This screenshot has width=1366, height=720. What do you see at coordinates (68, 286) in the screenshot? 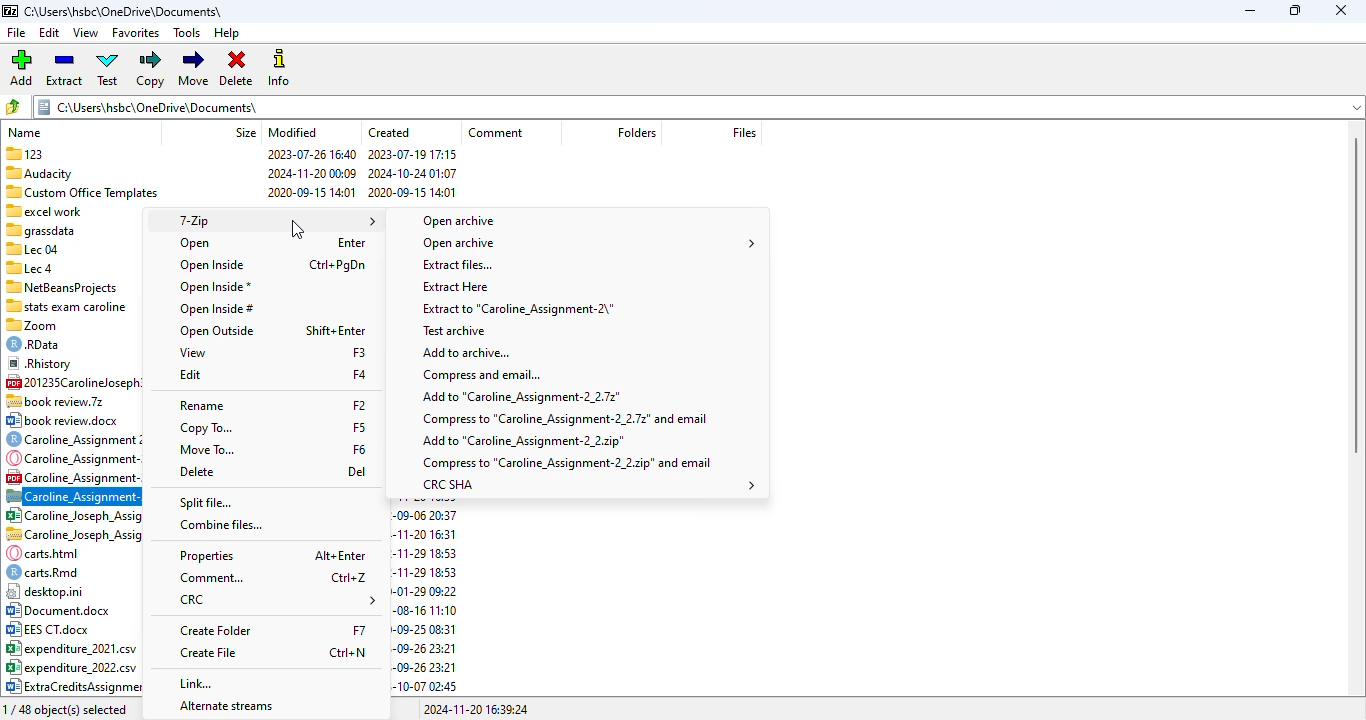
I see `*™ NetBeansProiects 2024-11-12 19:16 2024-11-12 16:09` at bounding box center [68, 286].